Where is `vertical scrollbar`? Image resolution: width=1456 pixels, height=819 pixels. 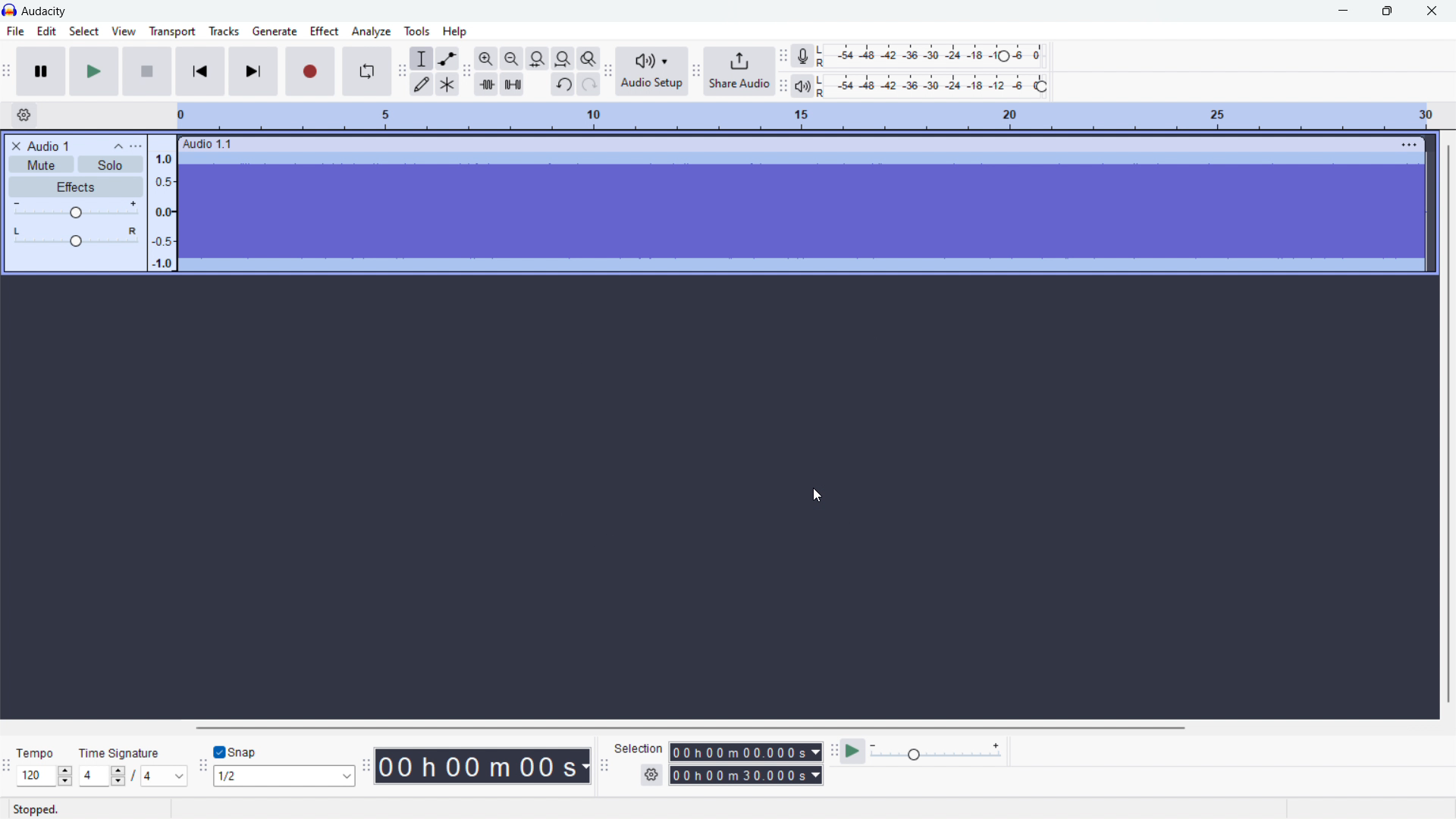
vertical scrollbar is located at coordinates (1447, 422).